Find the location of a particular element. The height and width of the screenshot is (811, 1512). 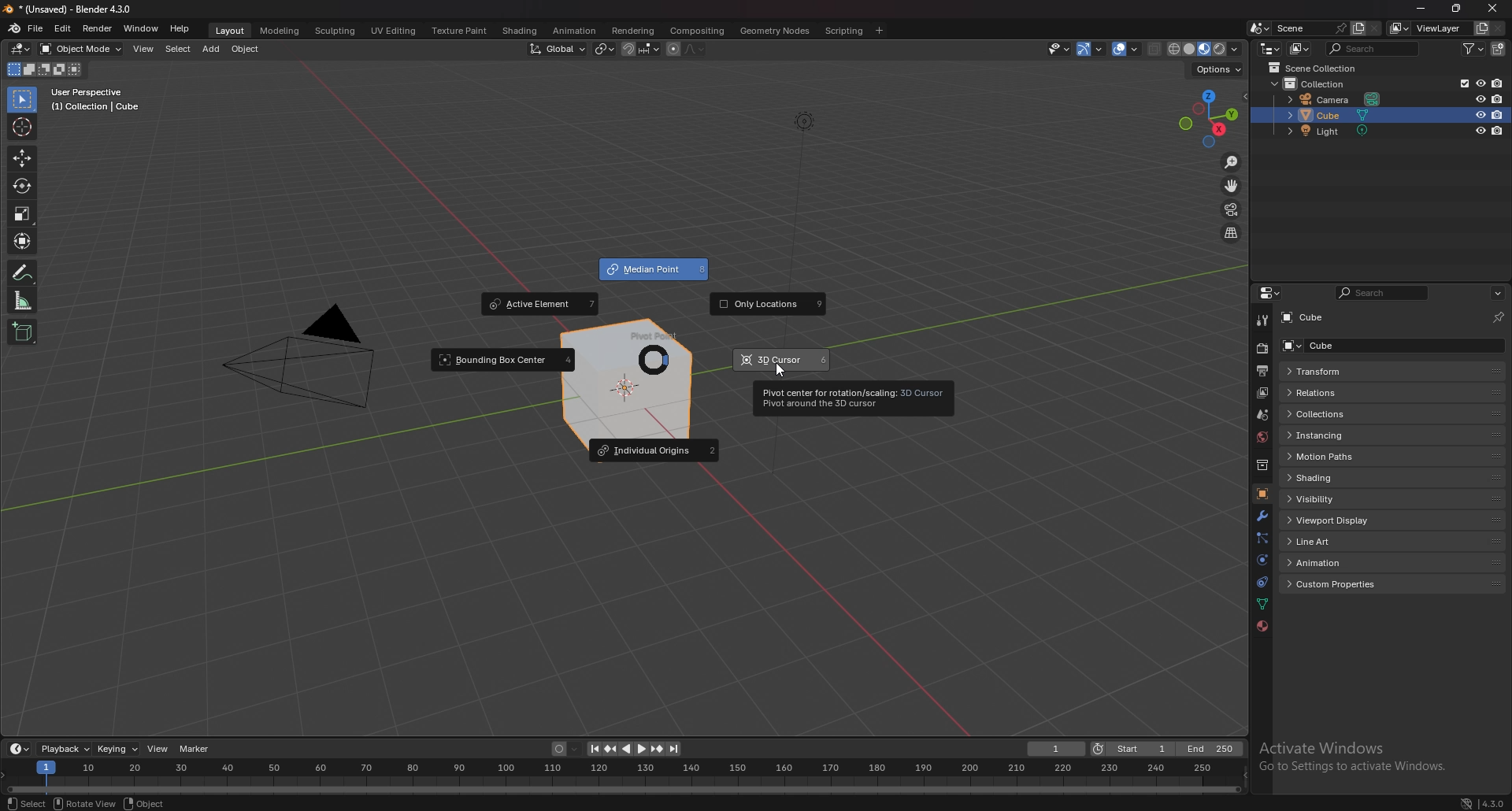

perspective/orthographic is located at coordinates (1232, 234).